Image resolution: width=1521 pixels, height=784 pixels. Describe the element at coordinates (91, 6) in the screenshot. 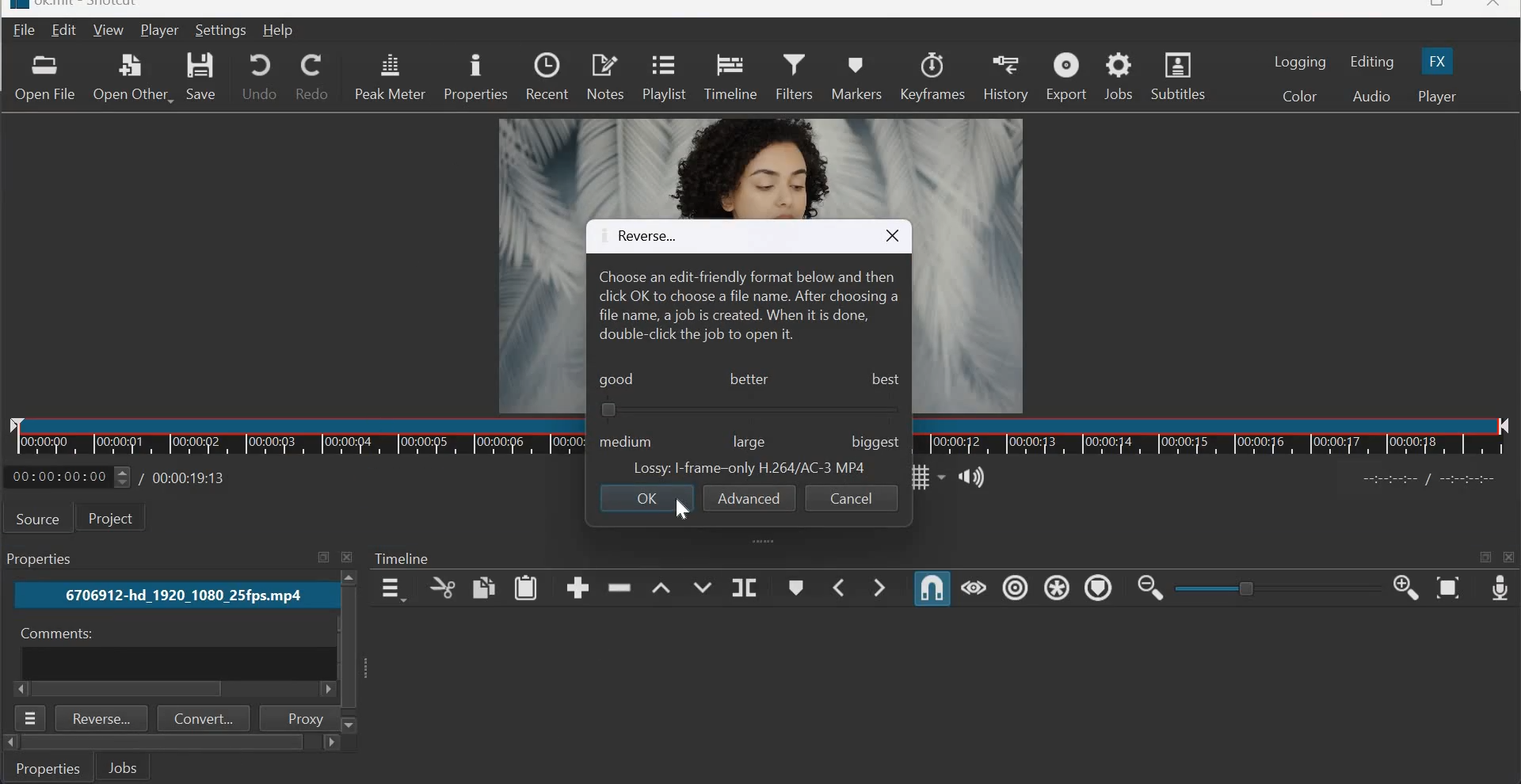

I see `title` at that location.